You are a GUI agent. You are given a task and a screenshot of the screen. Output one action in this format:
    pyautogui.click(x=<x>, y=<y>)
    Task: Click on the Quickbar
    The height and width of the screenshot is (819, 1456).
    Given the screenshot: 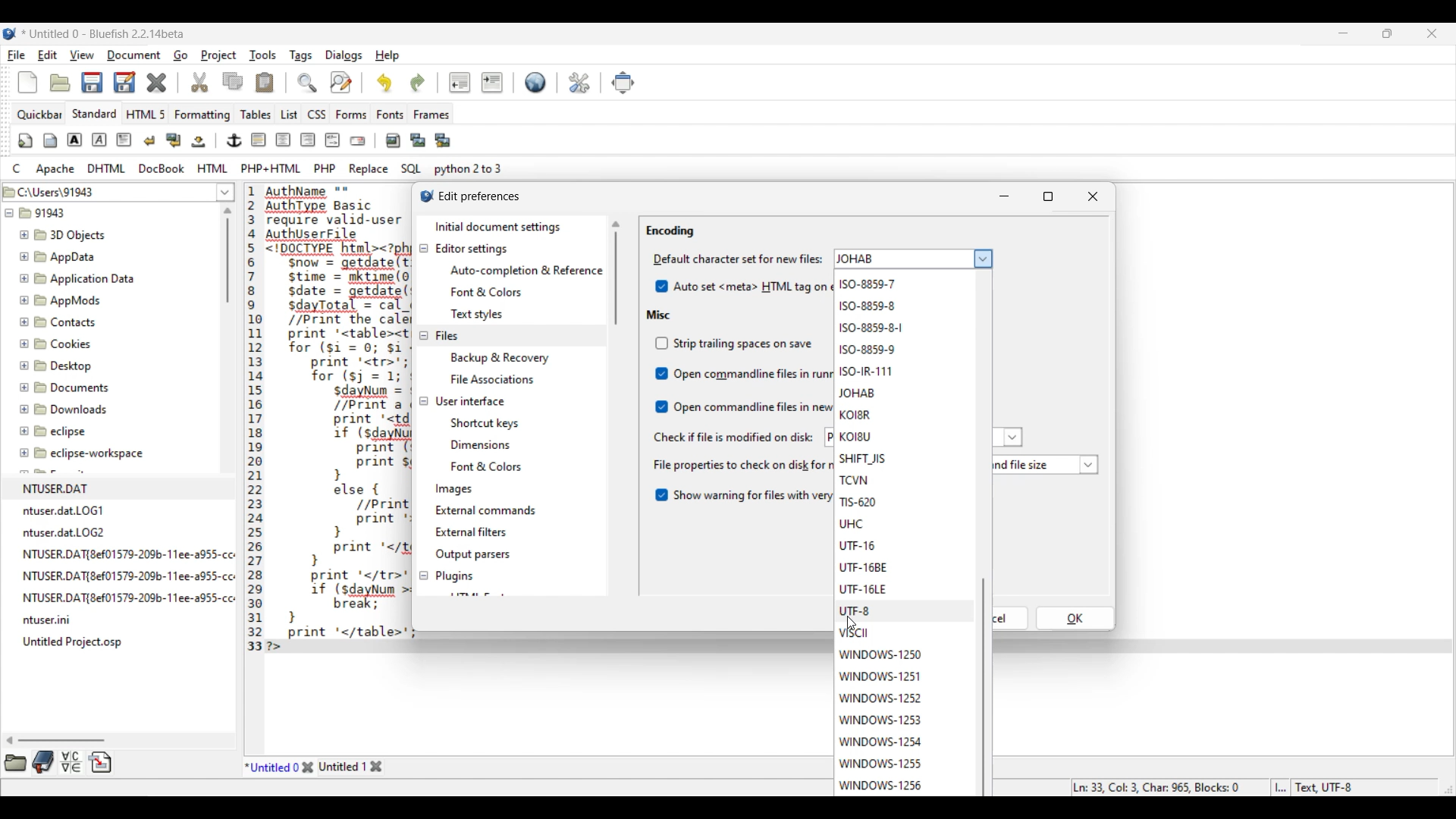 What is the action you would take?
    pyautogui.click(x=39, y=115)
    